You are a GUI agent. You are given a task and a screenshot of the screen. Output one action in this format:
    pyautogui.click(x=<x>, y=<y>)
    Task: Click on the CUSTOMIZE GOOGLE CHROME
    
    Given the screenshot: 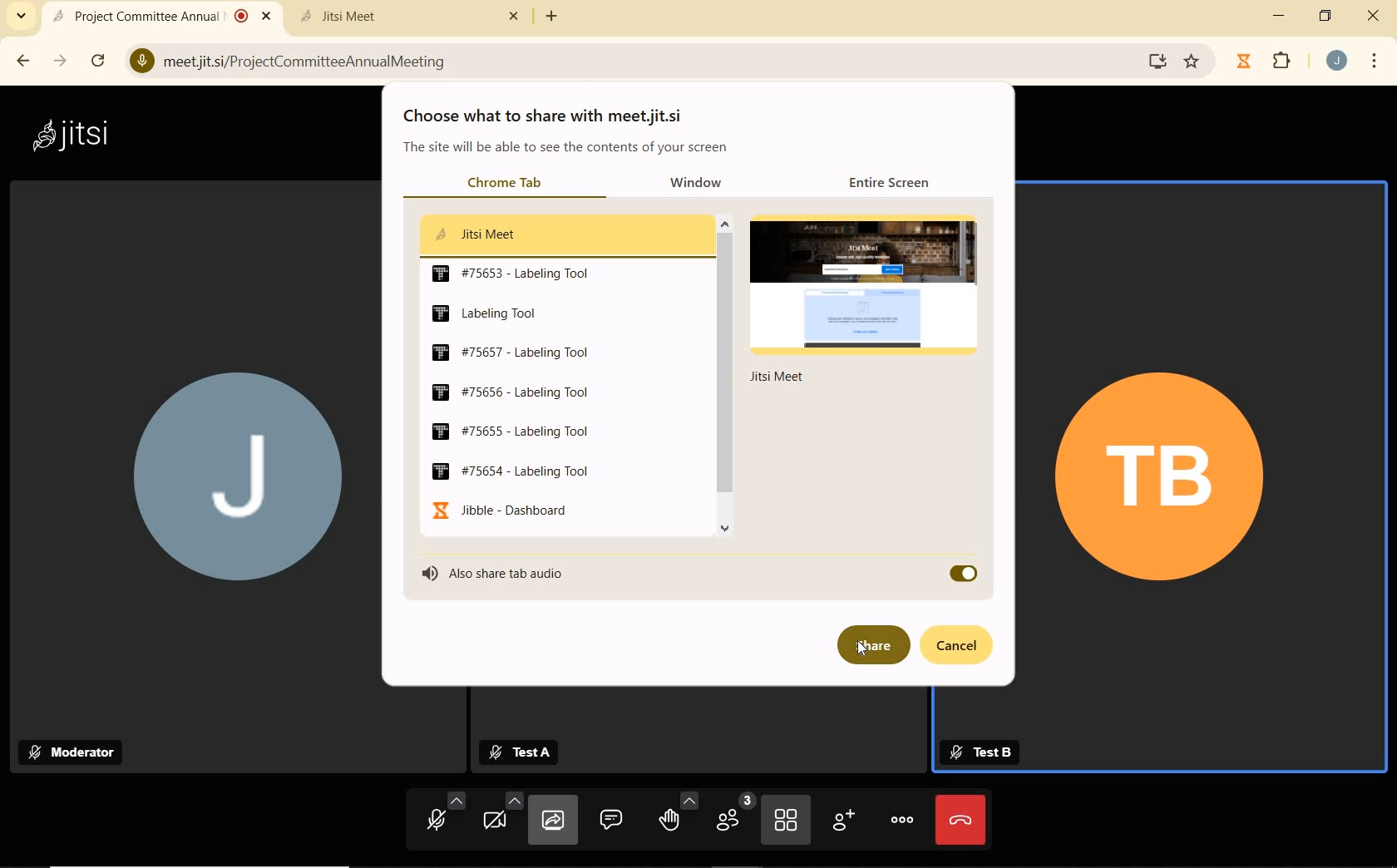 What is the action you would take?
    pyautogui.click(x=1375, y=62)
    